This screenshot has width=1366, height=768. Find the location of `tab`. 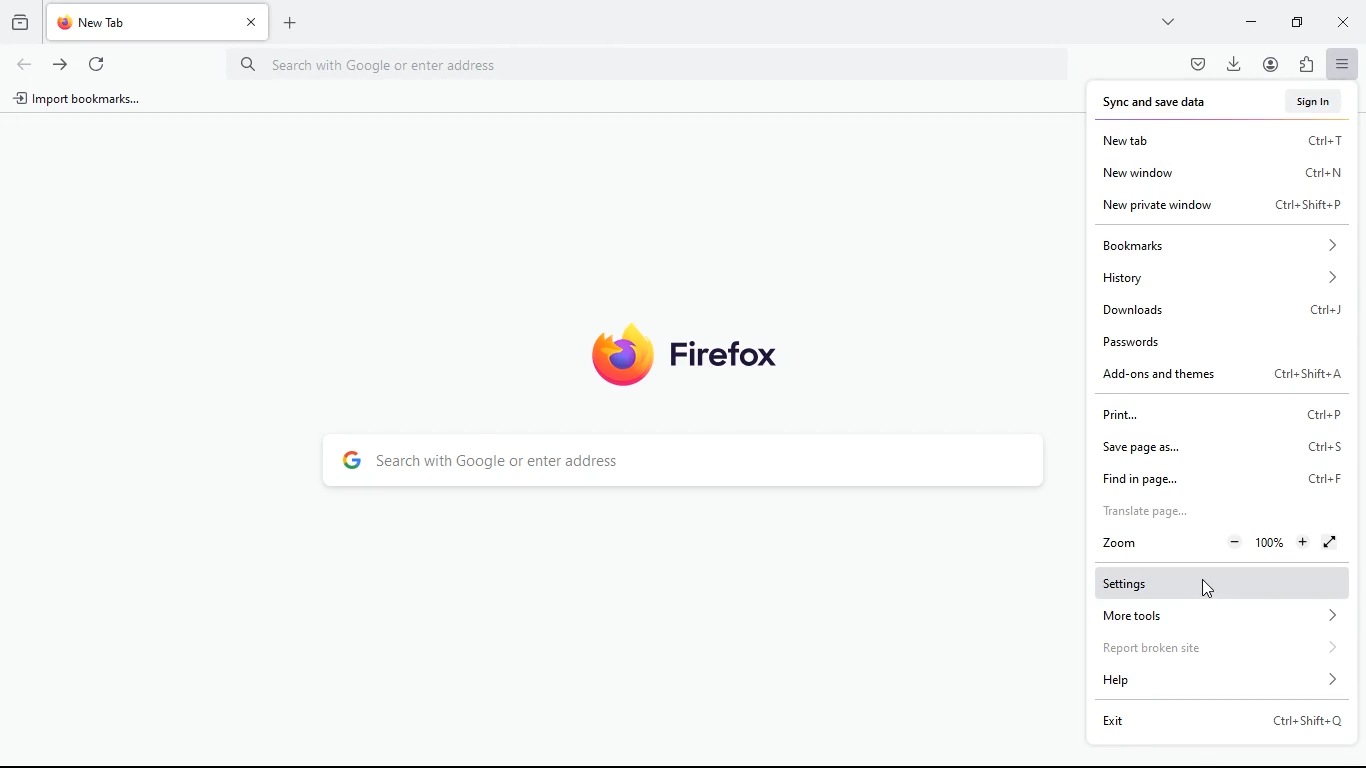

tab is located at coordinates (160, 22).